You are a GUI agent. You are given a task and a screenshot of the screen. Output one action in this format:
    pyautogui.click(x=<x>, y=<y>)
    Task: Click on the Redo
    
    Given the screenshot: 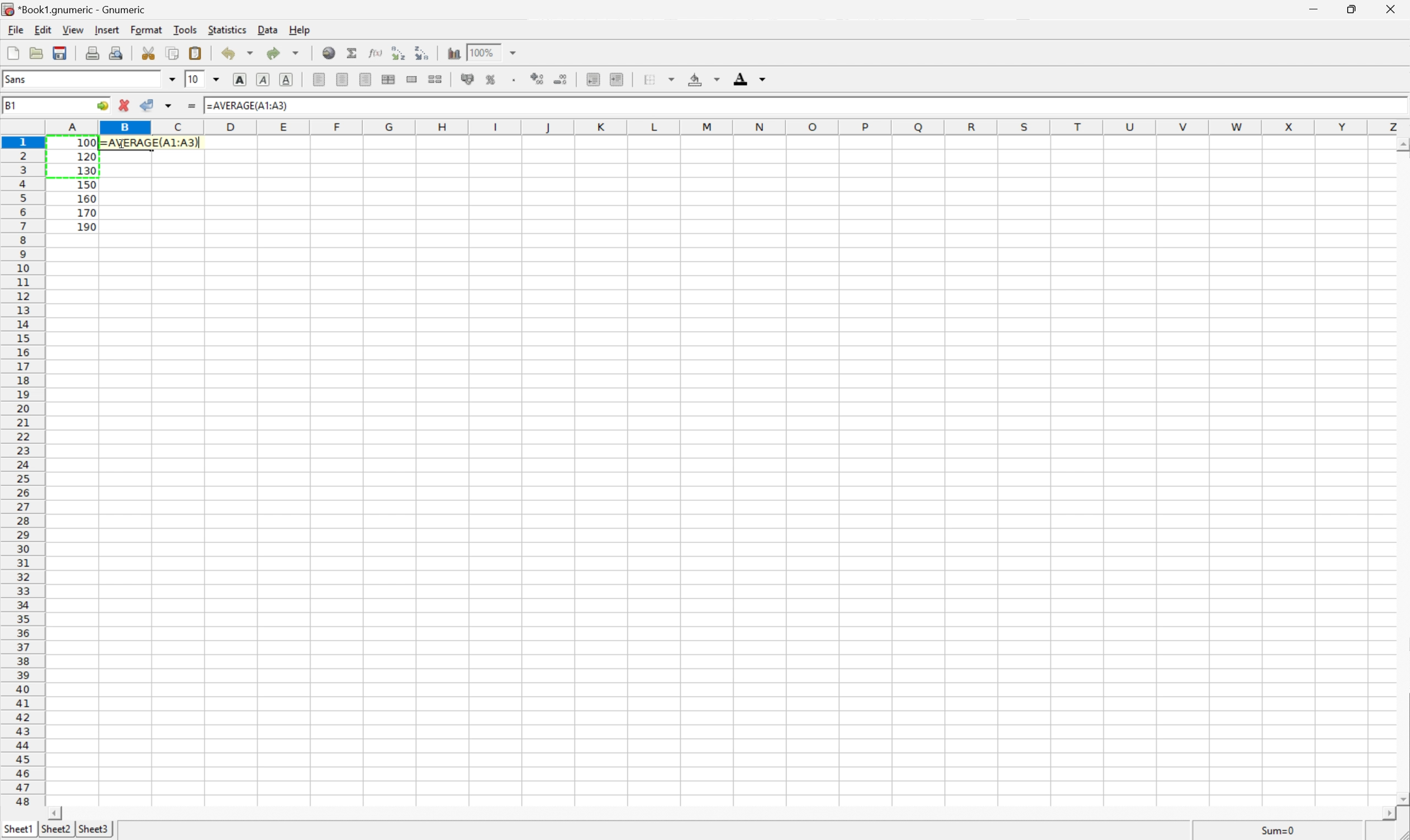 What is the action you would take?
    pyautogui.click(x=280, y=53)
    